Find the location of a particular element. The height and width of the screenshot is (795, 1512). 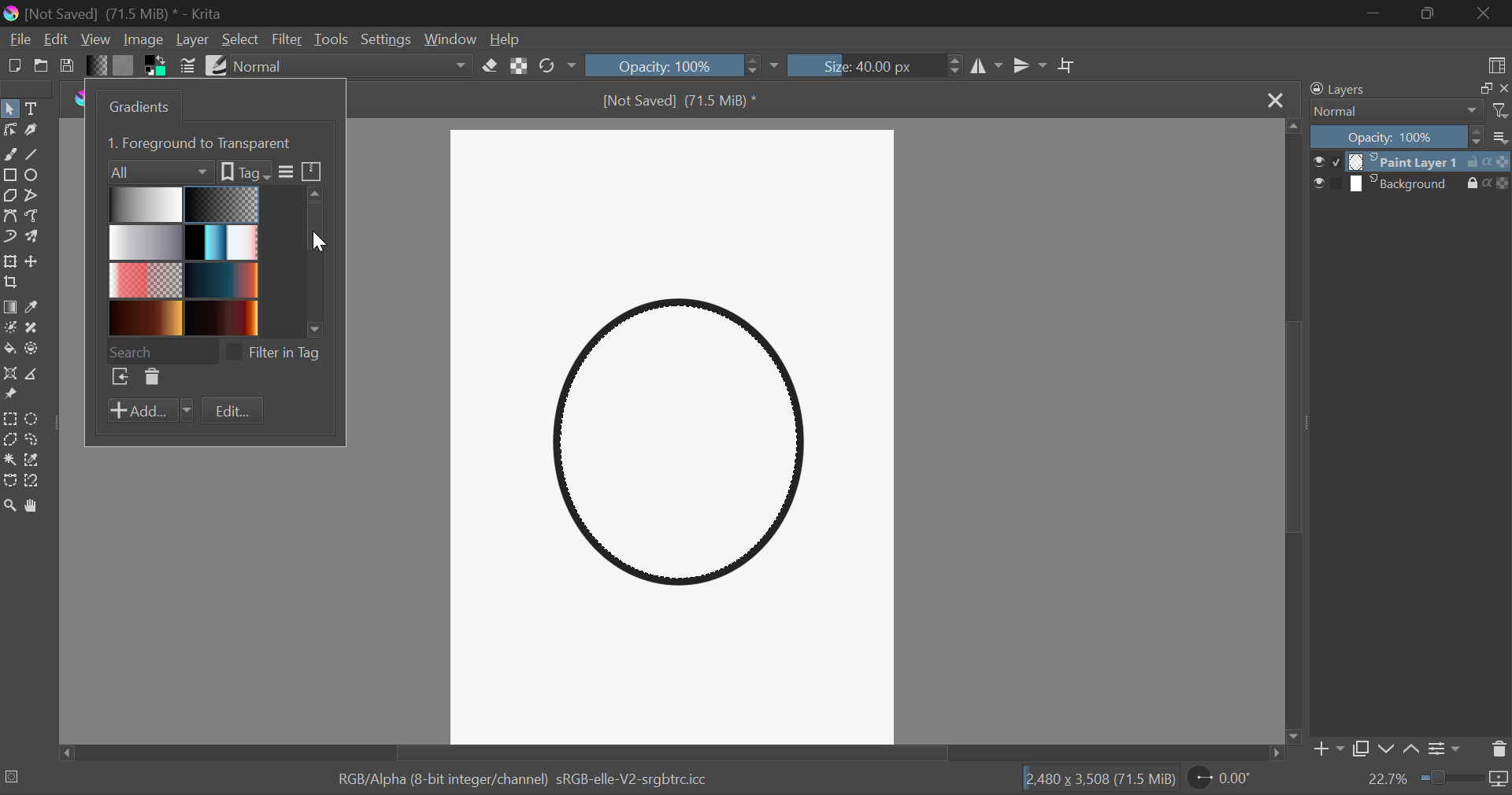

copy is located at coordinates (1485, 87).